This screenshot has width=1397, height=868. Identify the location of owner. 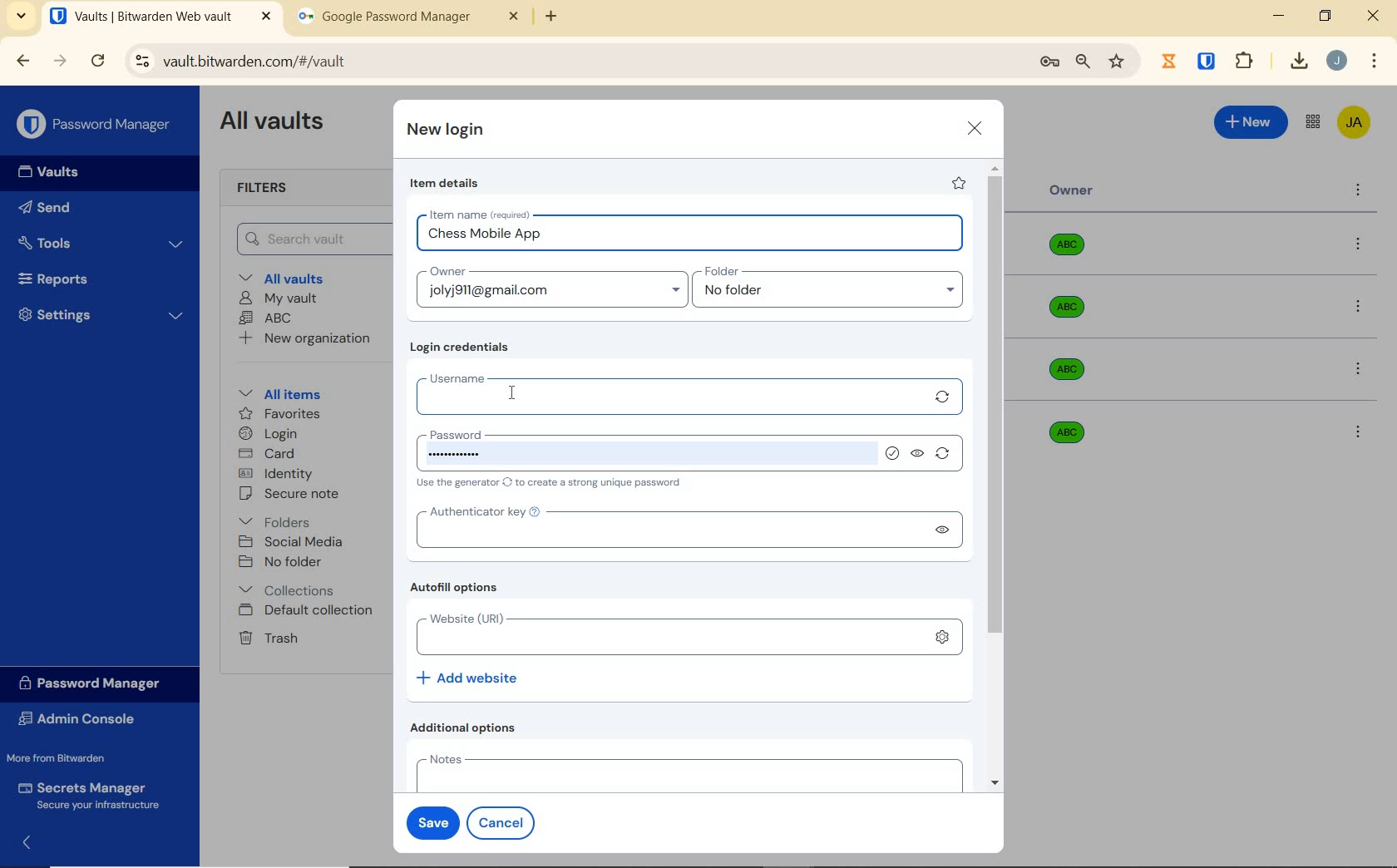
(446, 273).